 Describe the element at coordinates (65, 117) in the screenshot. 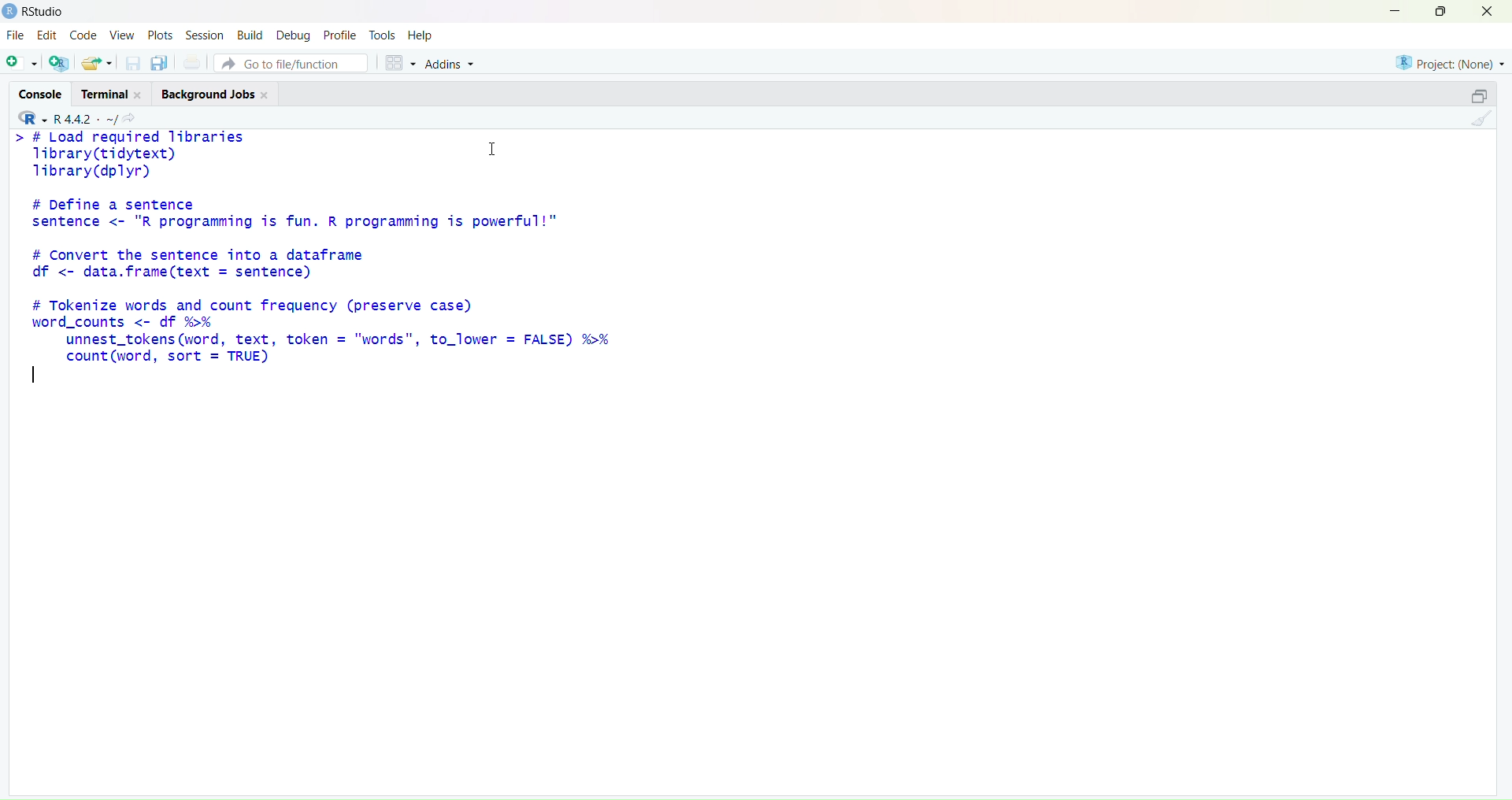

I see `R 4.4.2` at that location.